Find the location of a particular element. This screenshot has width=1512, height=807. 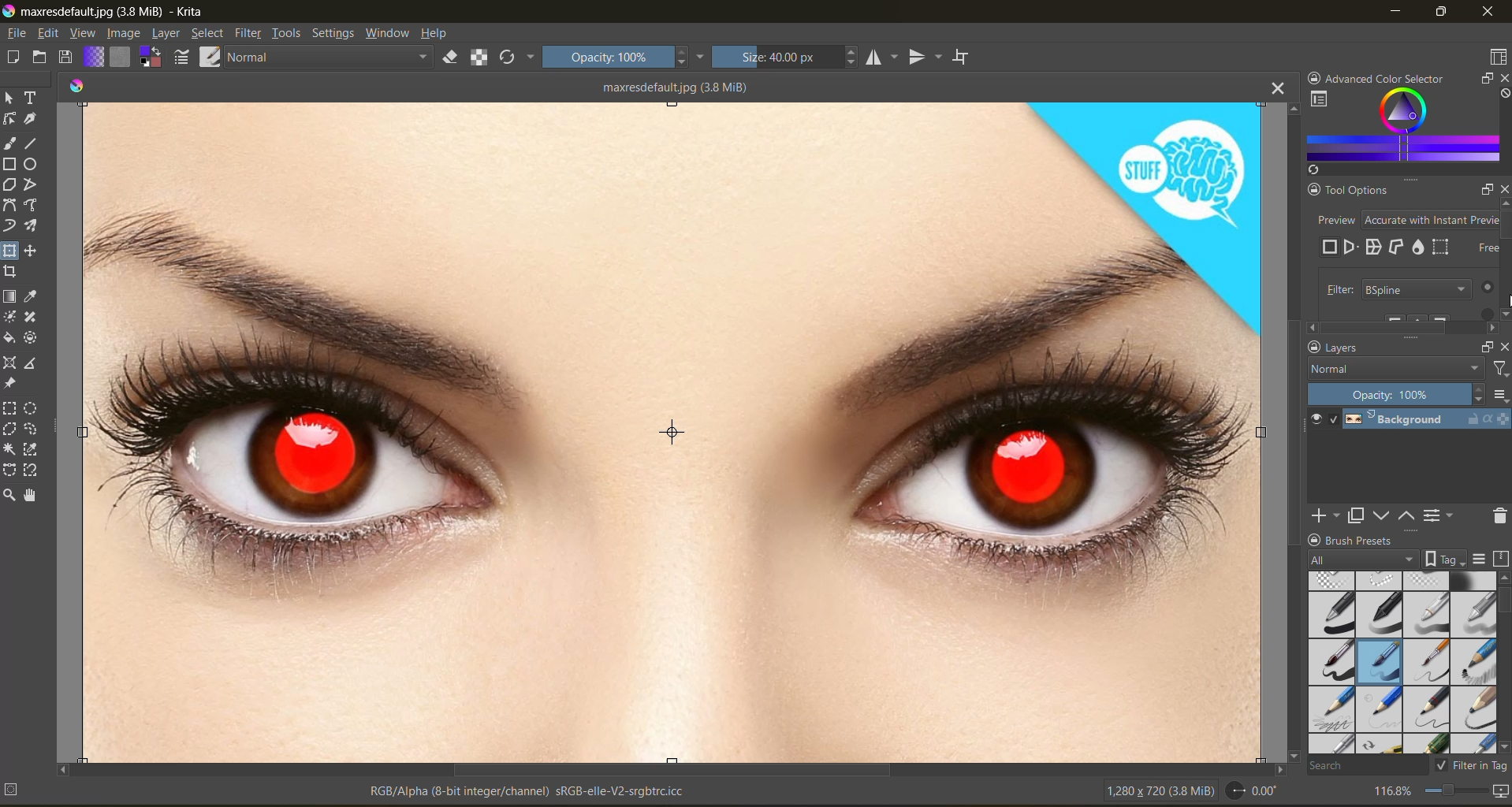

vertical scroll bar is located at coordinates (1503, 262).